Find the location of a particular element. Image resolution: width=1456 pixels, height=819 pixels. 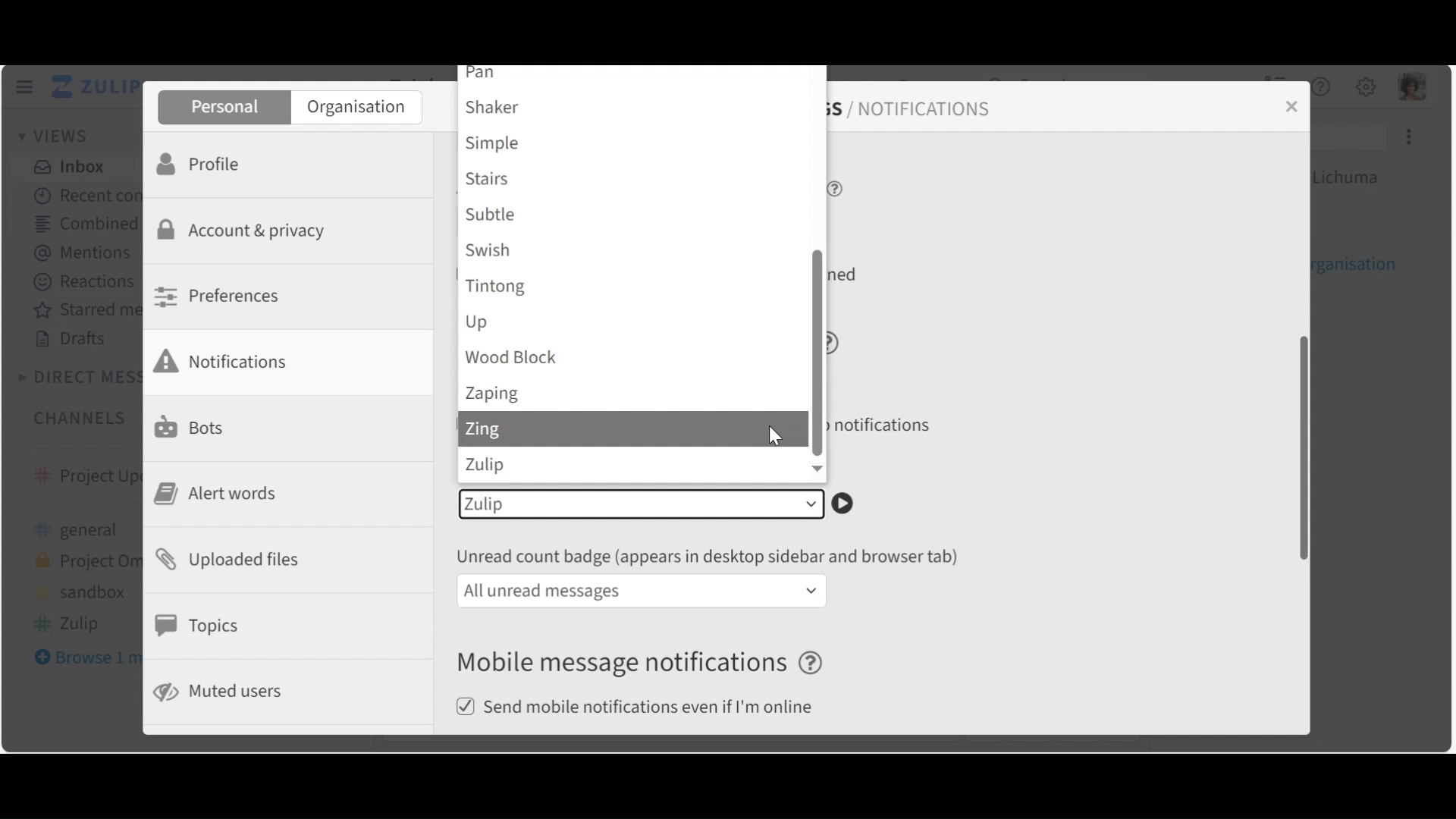

Tintong is located at coordinates (634, 286).